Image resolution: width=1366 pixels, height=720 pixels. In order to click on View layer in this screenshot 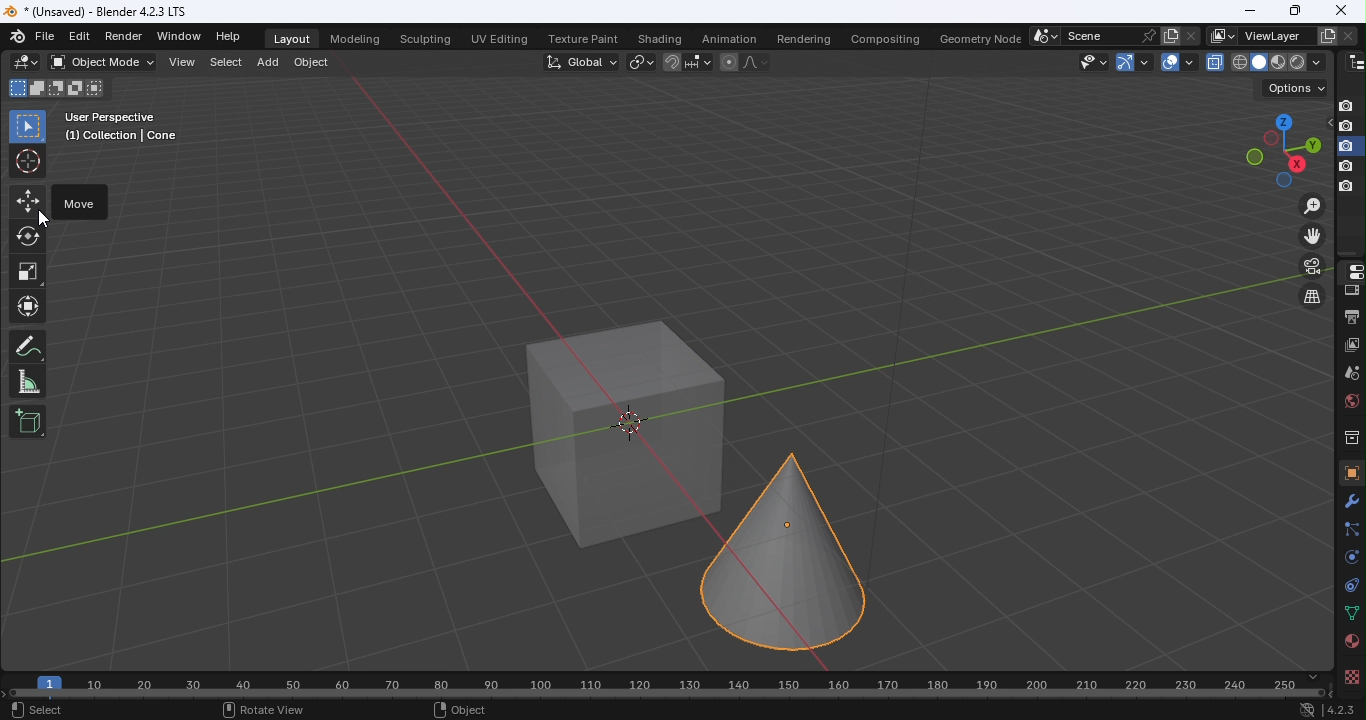, I will do `click(1353, 344)`.